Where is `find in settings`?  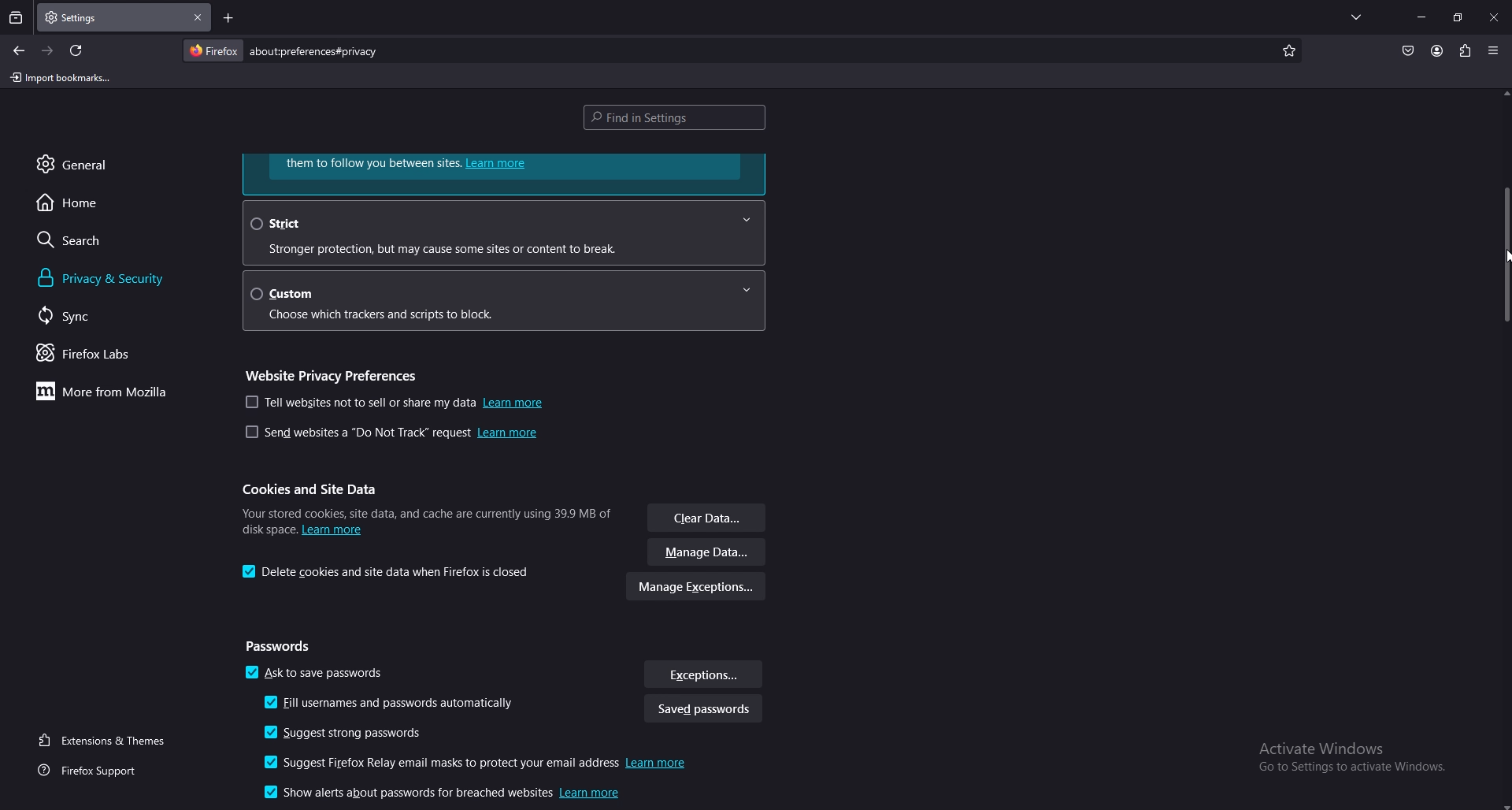
find in settings is located at coordinates (679, 116).